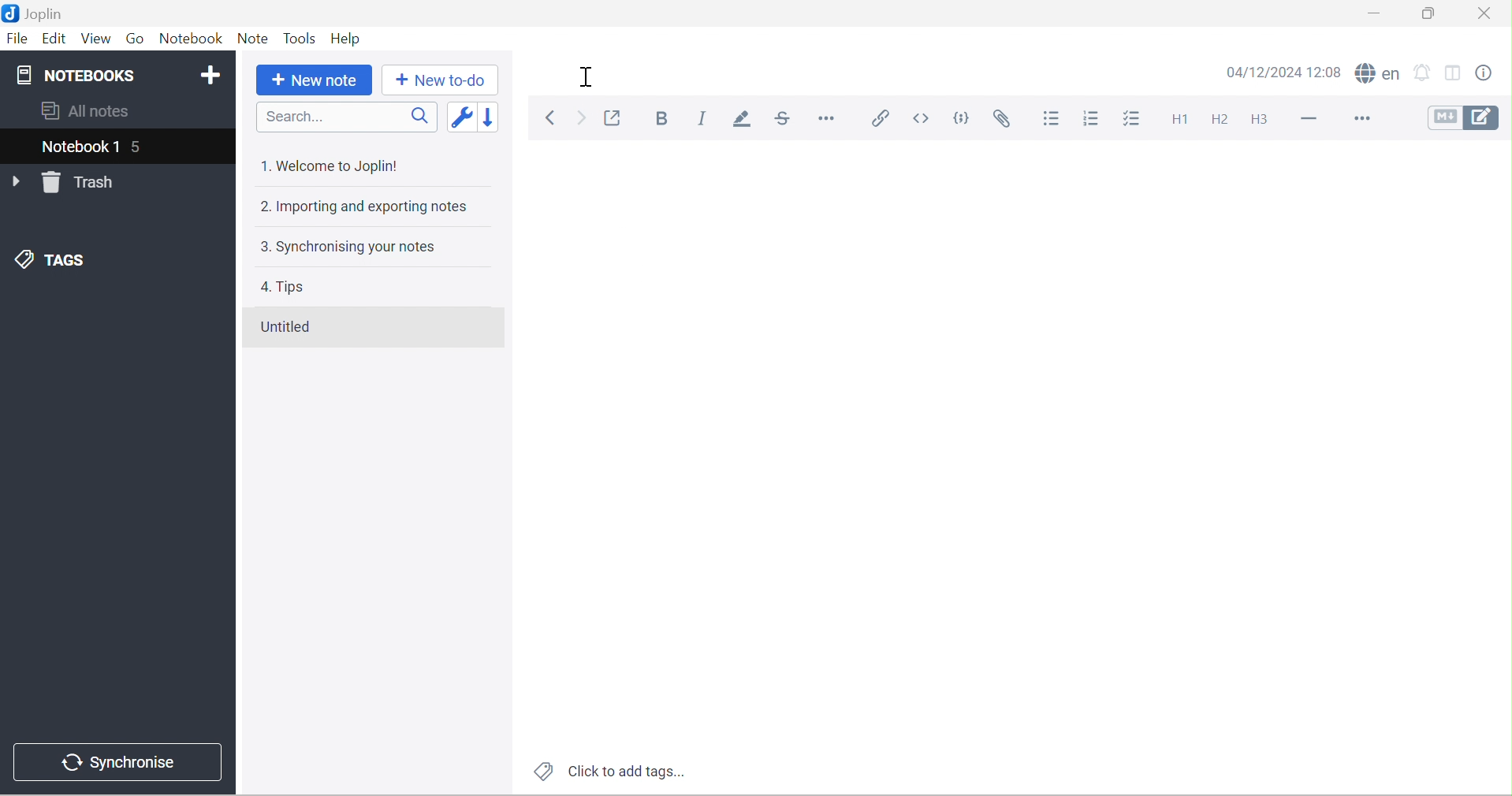 The height and width of the screenshot is (796, 1512). What do you see at coordinates (614, 117) in the screenshot?
I see `Toggle external editing` at bounding box center [614, 117].